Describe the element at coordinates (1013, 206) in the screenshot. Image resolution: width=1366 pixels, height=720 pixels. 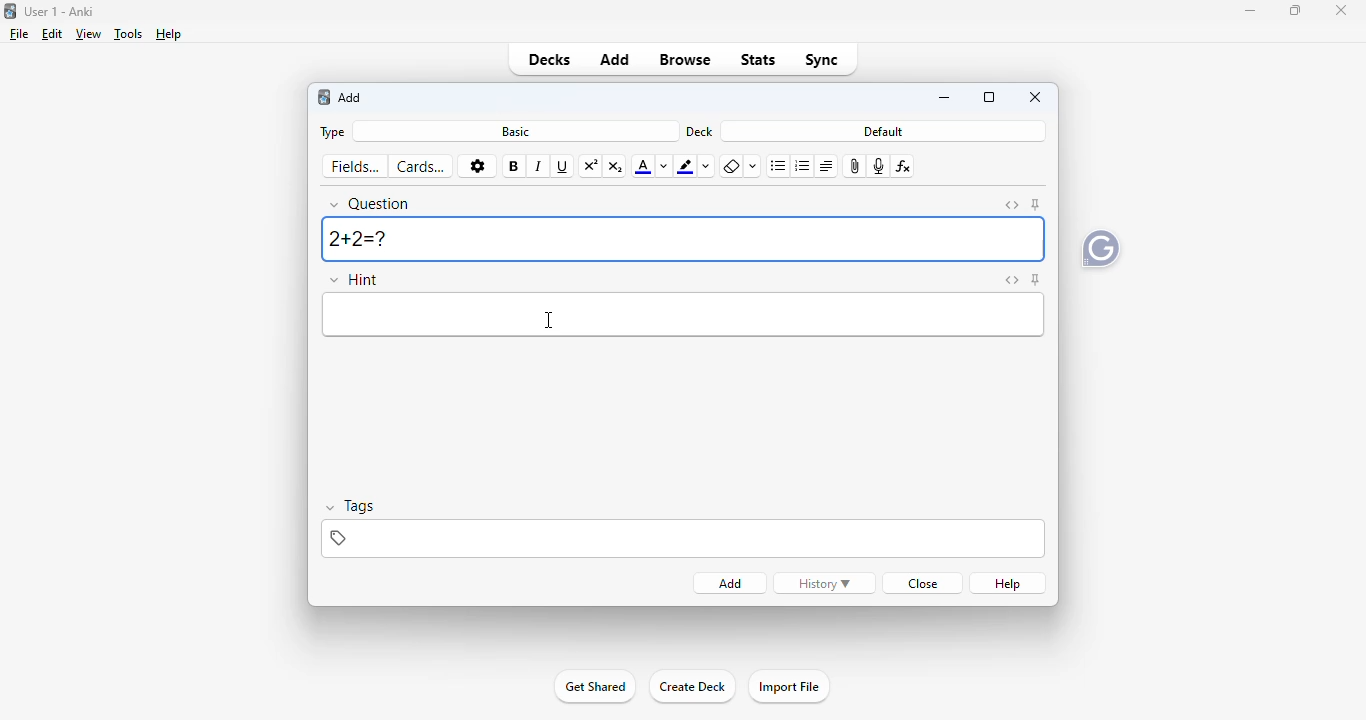
I see `toggle HTML editor` at that location.